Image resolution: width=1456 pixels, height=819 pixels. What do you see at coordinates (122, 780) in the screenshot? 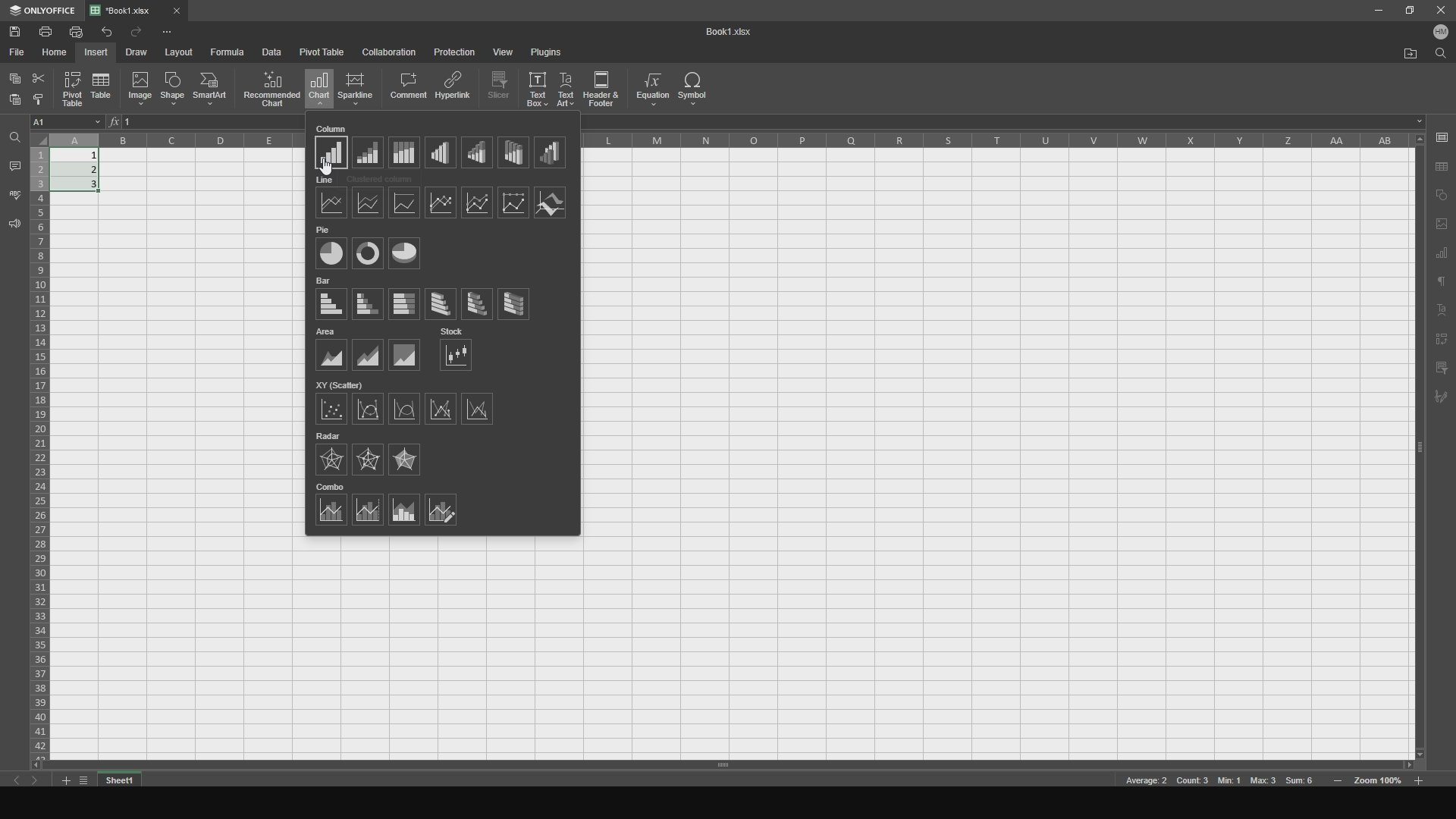
I see `sheet` at bounding box center [122, 780].